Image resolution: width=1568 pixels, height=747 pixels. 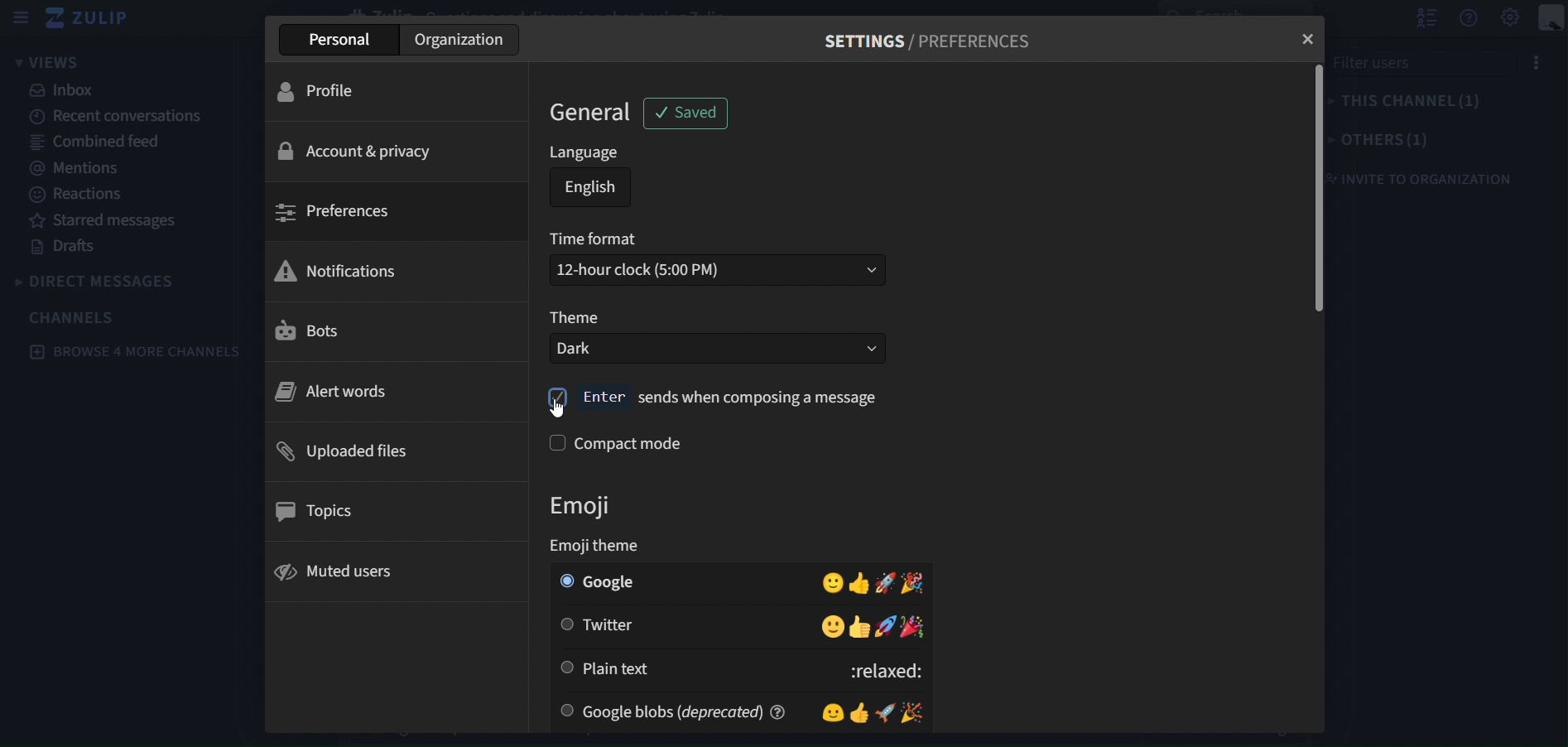 I want to click on drafts, so click(x=64, y=247).